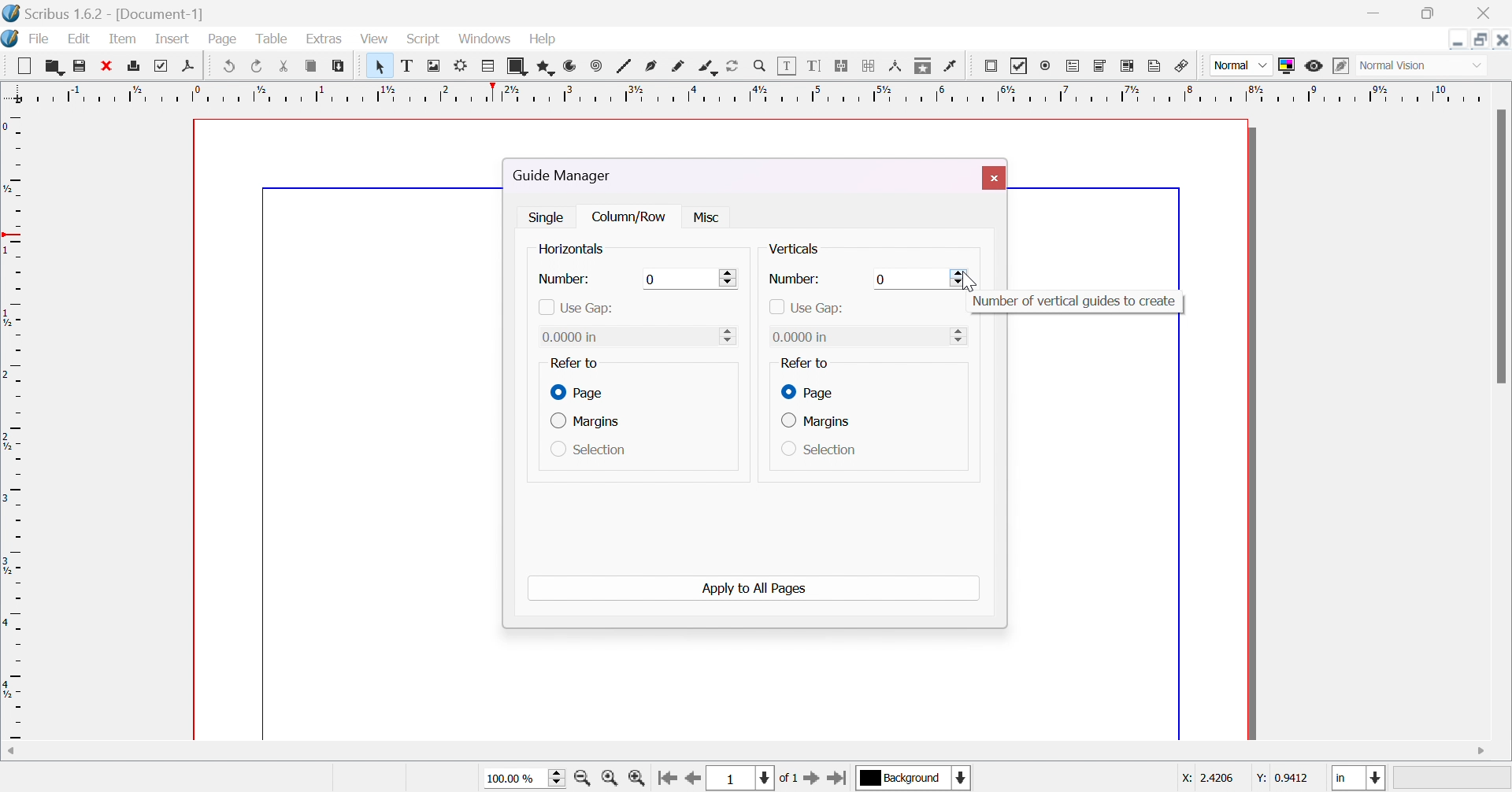 This screenshot has width=1512, height=792. What do you see at coordinates (1021, 66) in the screenshot?
I see `PDF checkbox` at bounding box center [1021, 66].